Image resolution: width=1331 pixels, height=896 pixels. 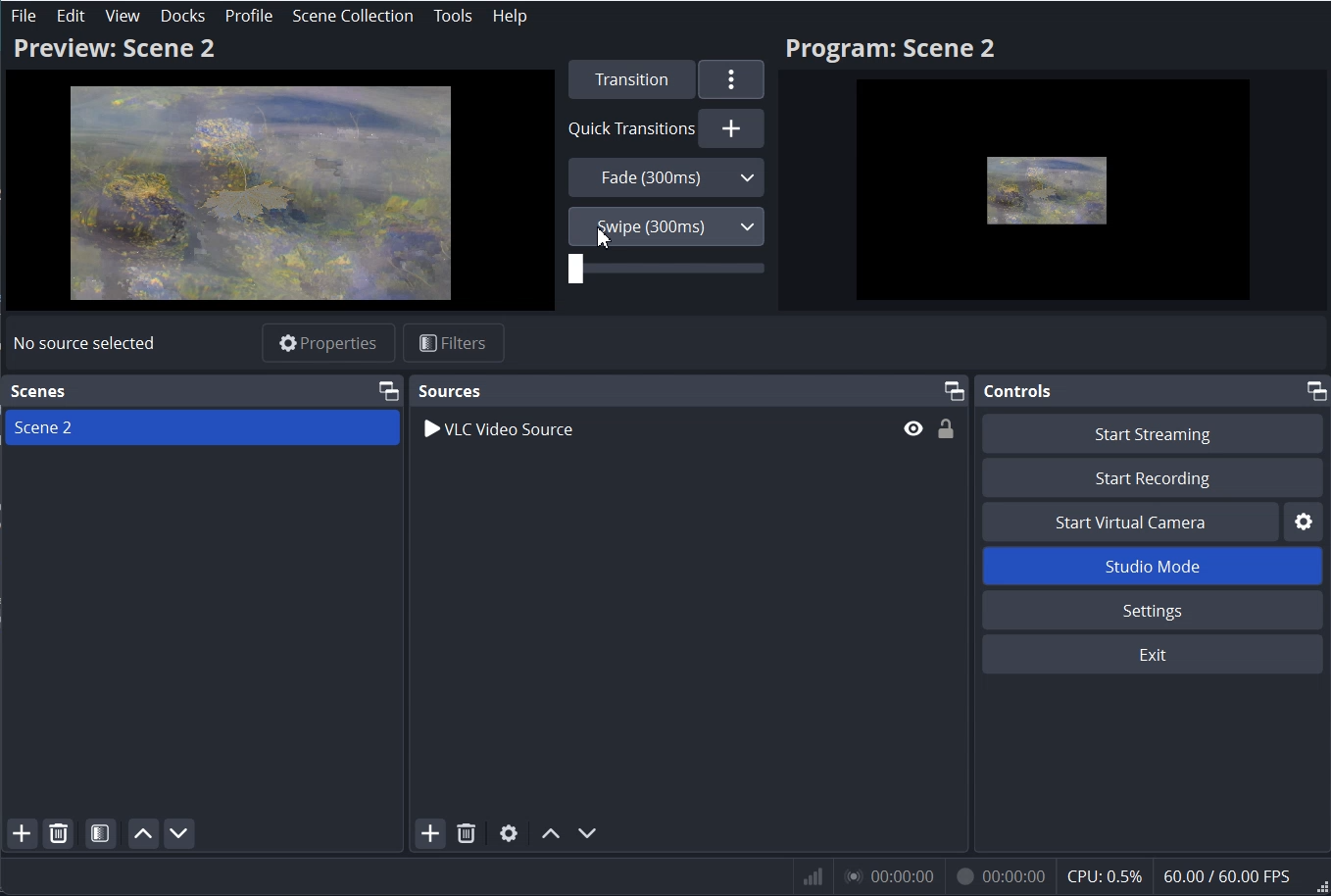 I want to click on Numeric Result, so click(x=1060, y=874).